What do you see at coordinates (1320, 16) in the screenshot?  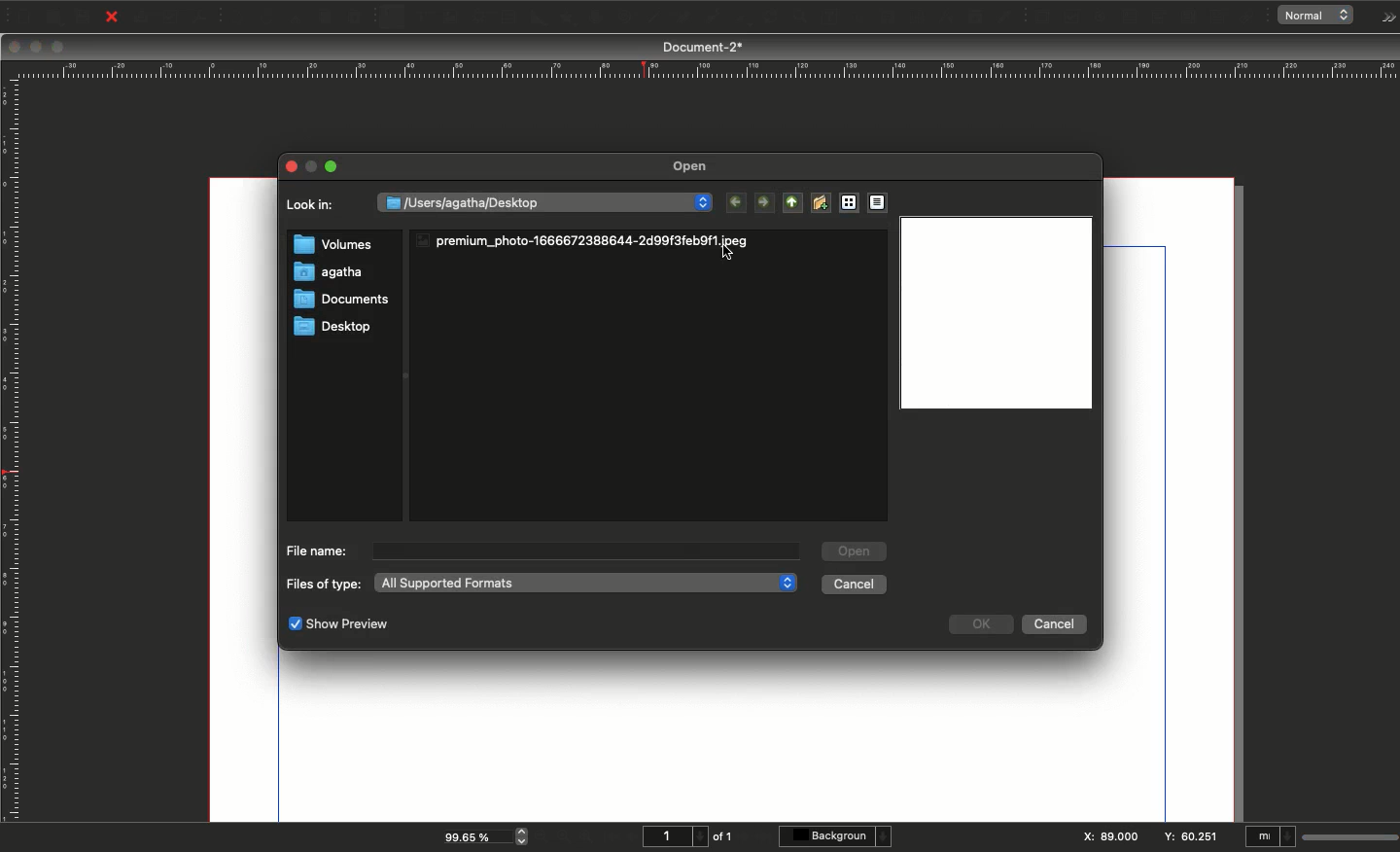 I see `normal` at bounding box center [1320, 16].